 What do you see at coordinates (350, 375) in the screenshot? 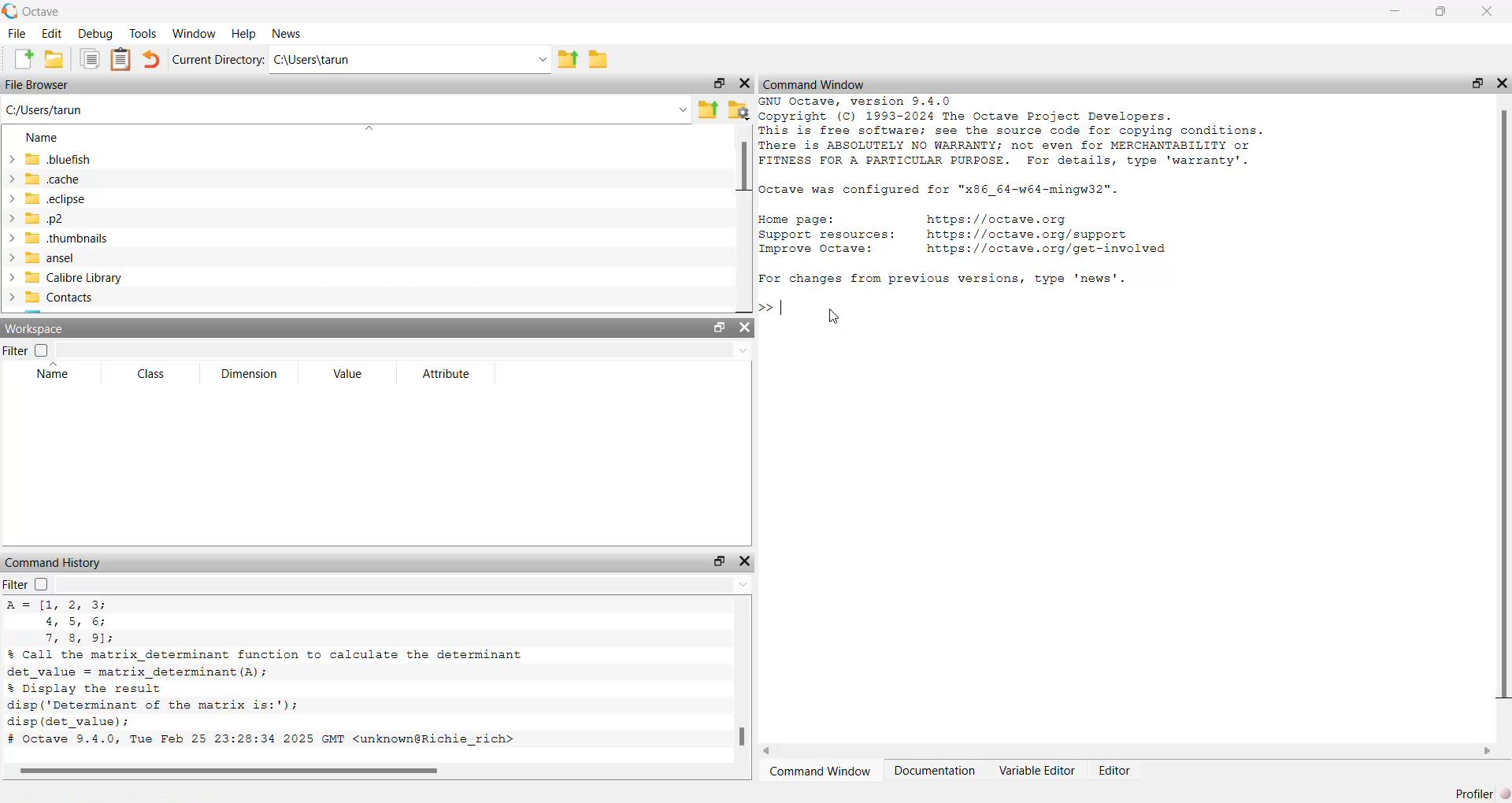
I see `value` at bounding box center [350, 375].